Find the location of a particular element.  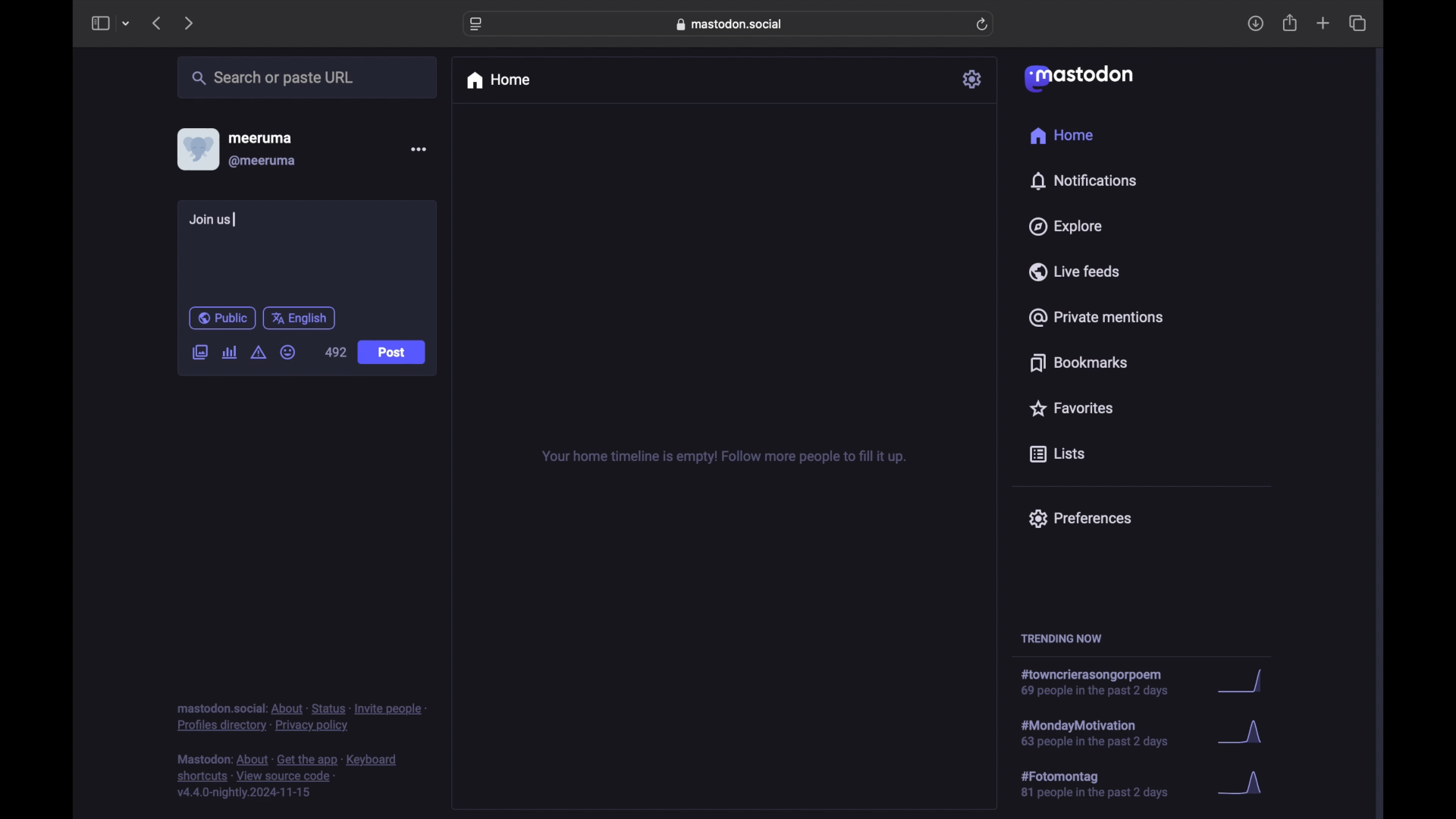

settings is located at coordinates (974, 79).